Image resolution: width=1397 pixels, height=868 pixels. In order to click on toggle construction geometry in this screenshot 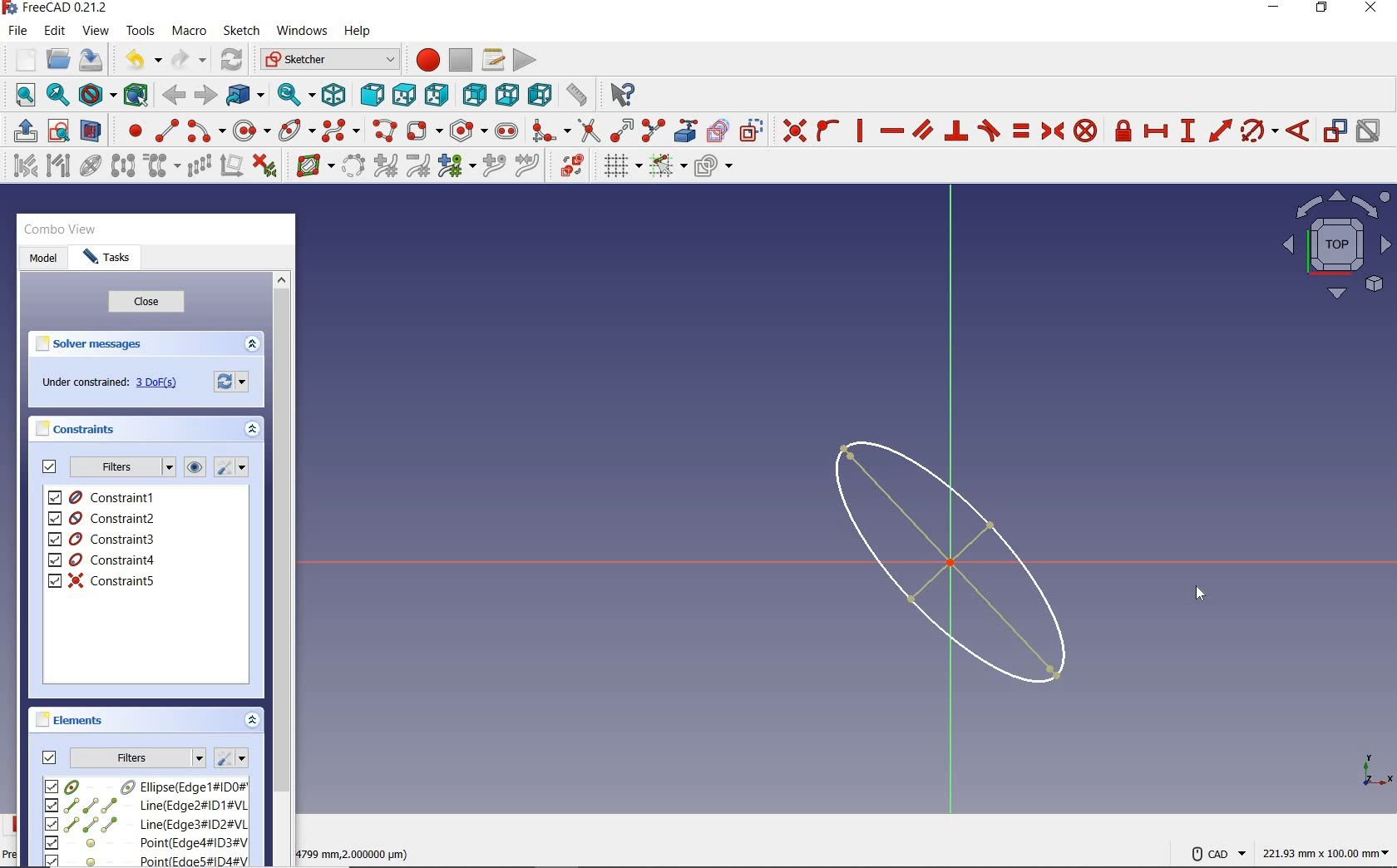, I will do `click(752, 130)`.